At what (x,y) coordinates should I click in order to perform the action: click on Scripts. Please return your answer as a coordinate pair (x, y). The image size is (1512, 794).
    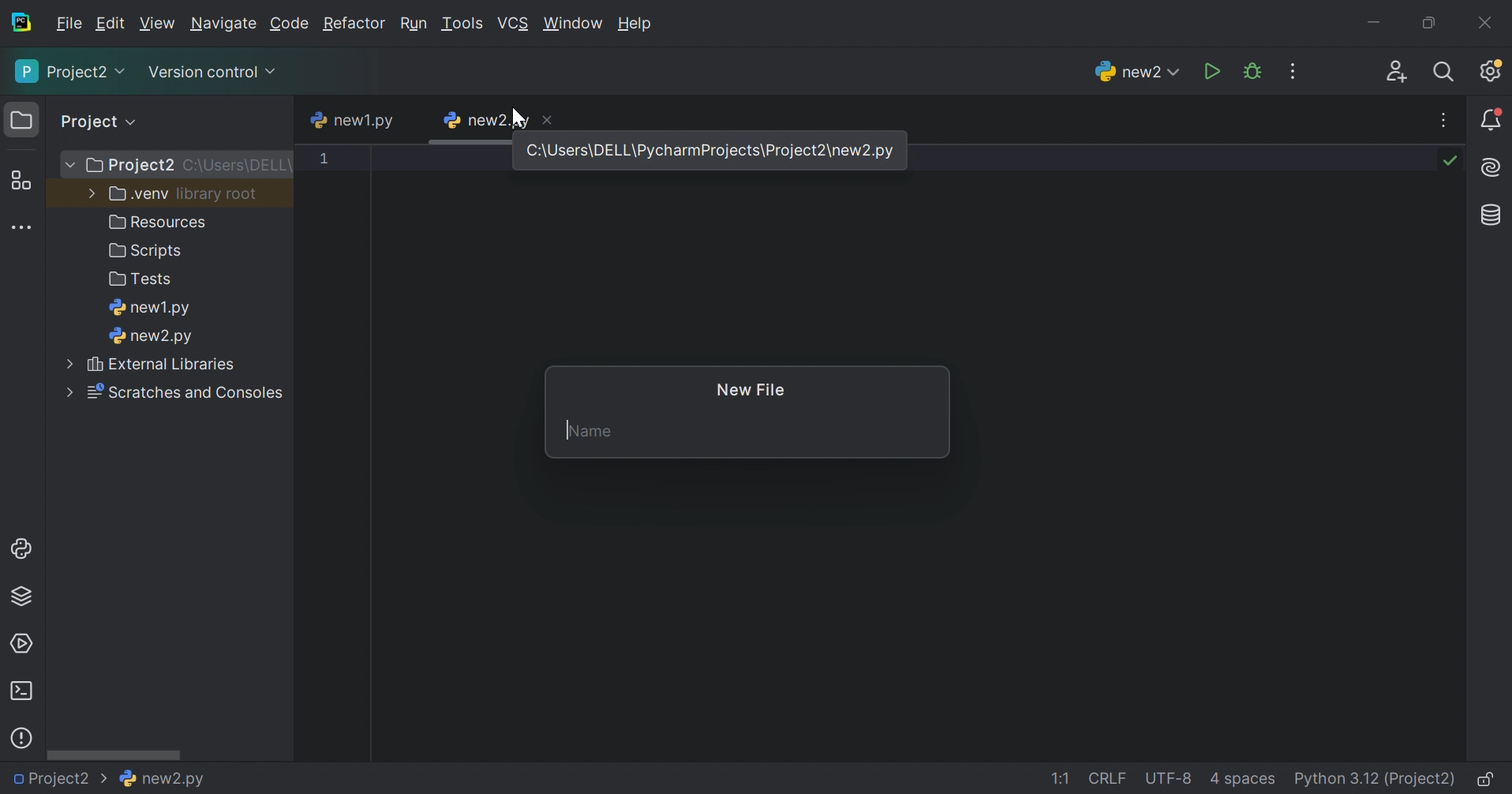
    Looking at the image, I should click on (147, 253).